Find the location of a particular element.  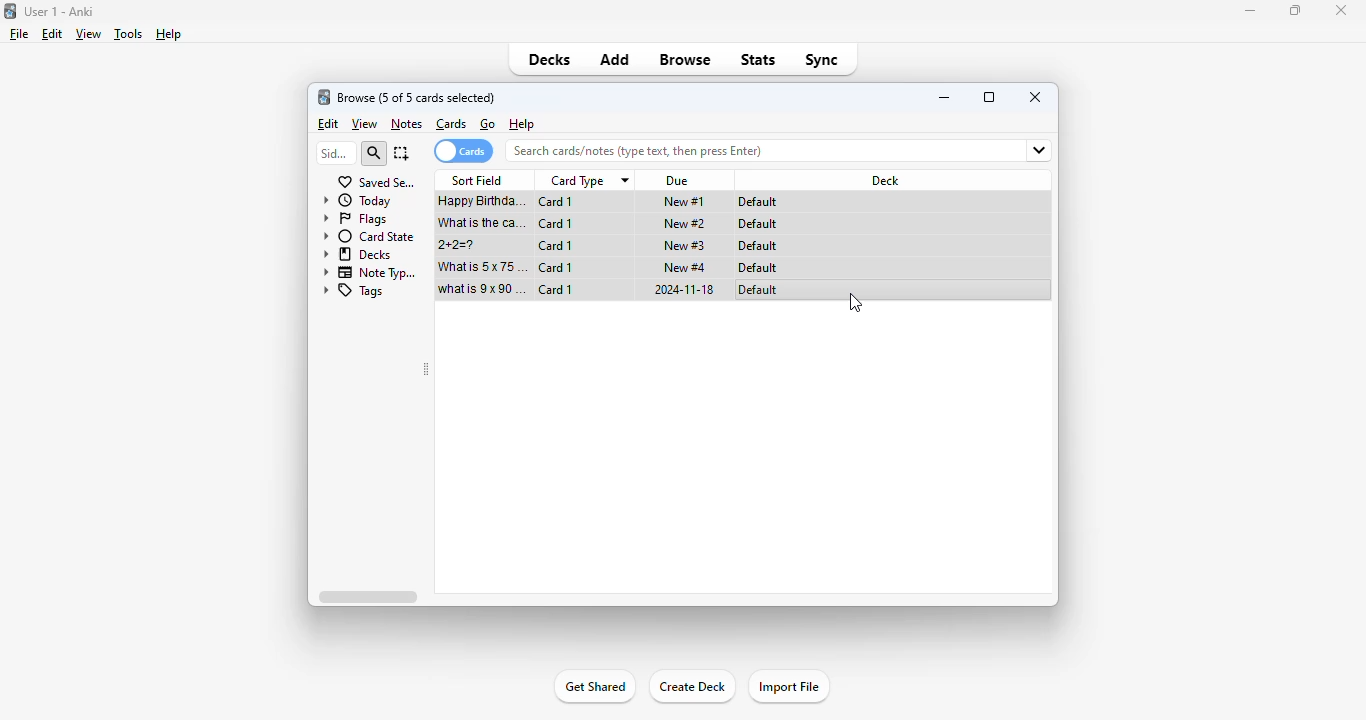

sort field is located at coordinates (477, 180).